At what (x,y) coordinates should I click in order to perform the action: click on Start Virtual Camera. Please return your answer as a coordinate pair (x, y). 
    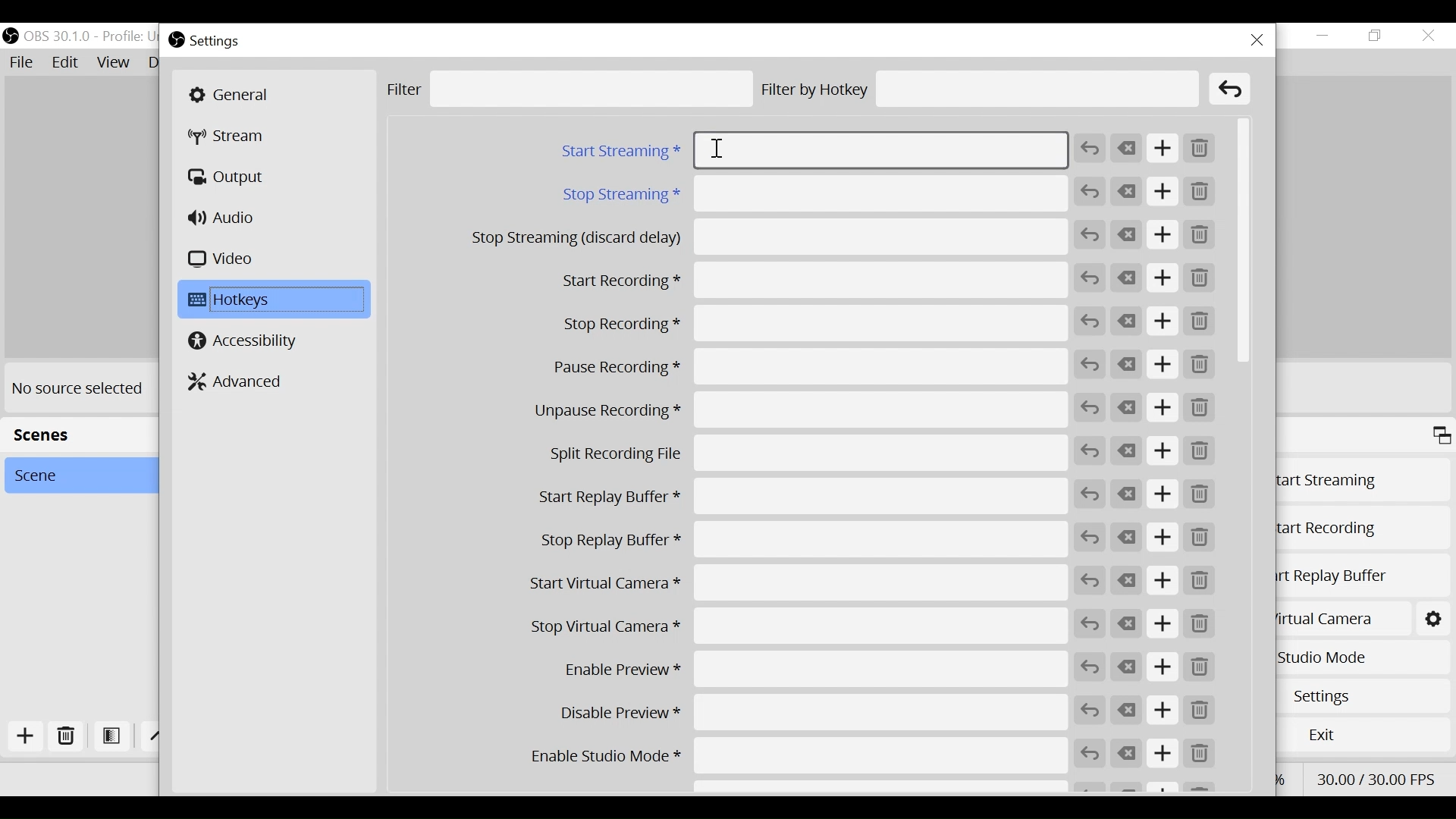
    Looking at the image, I should click on (799, 582).